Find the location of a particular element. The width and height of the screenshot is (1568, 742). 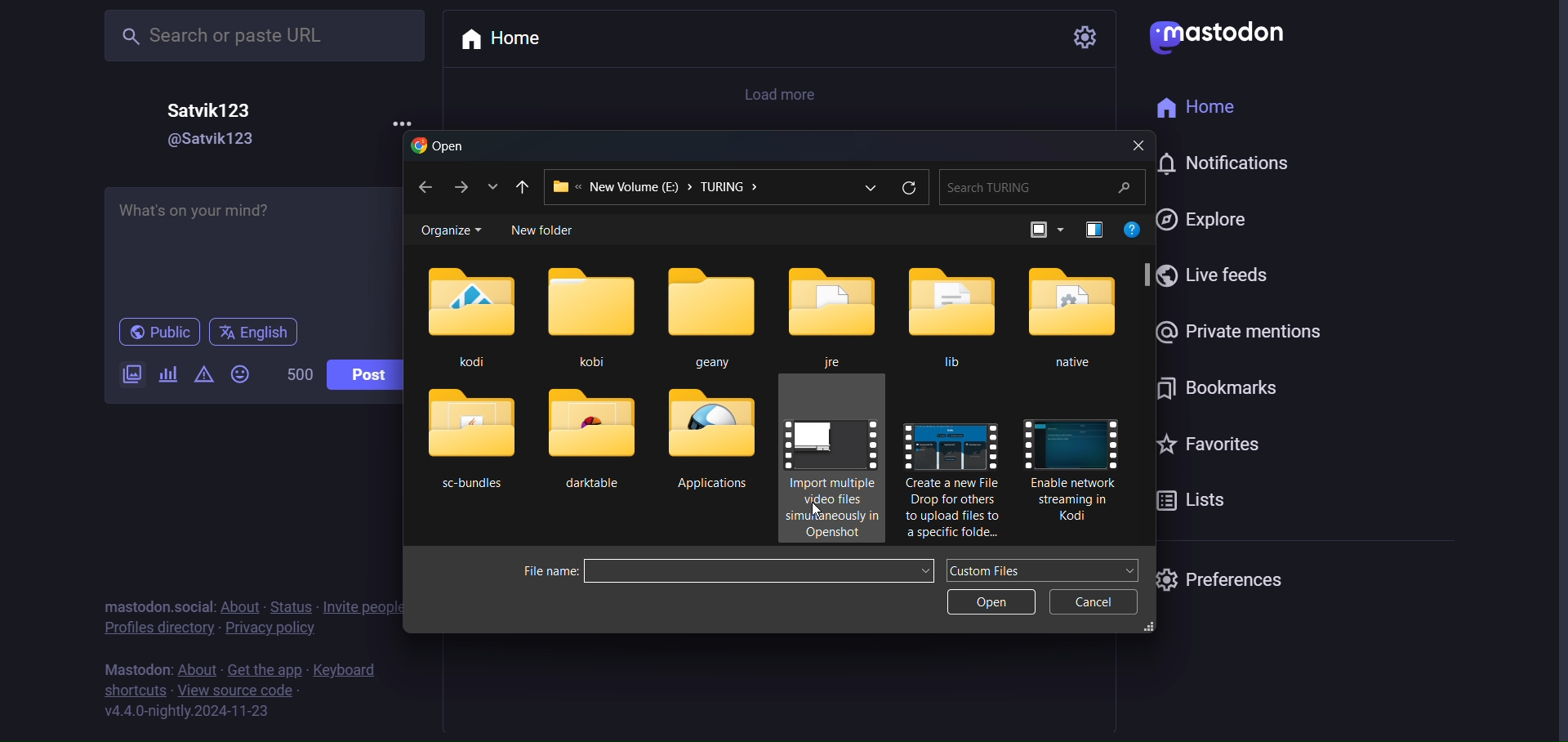

kodi is located at coordinates (469, 316).